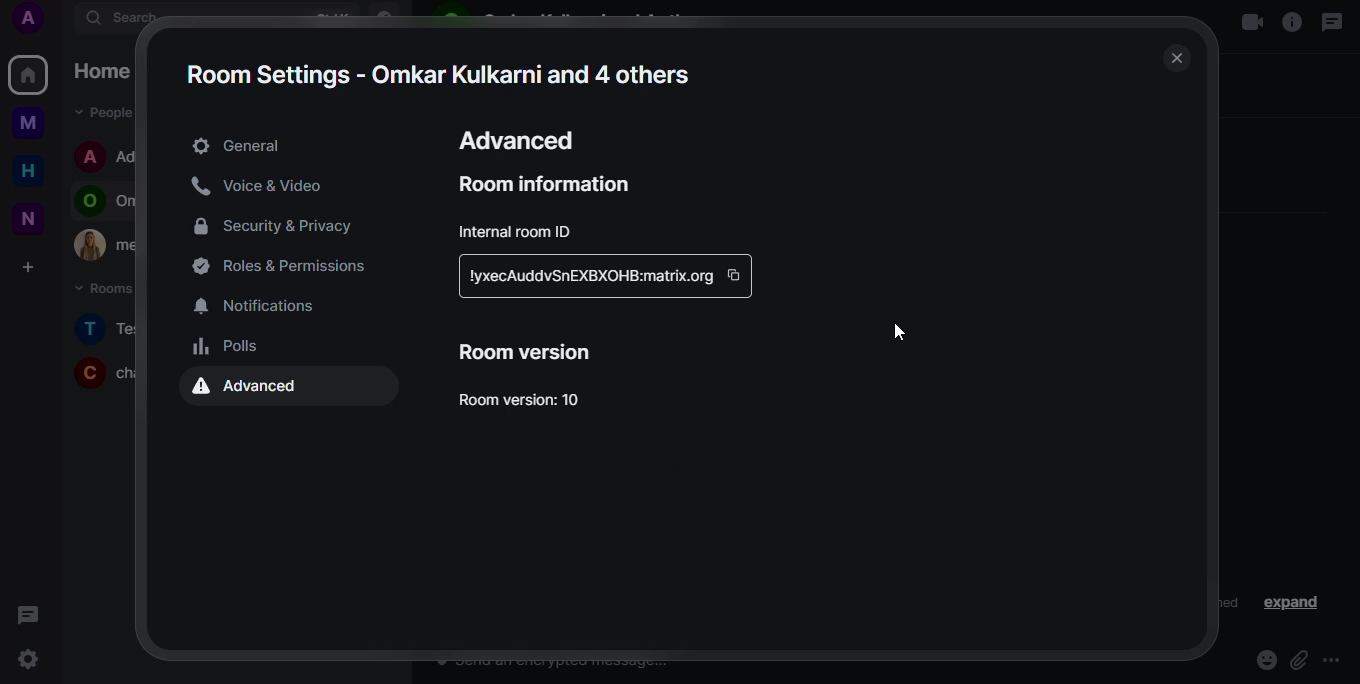 Image resolution: width=1360 pixels, height=684 pixels. Describe the element at coordinates (109, 199) in the screenshot. I see `contact` at that location.